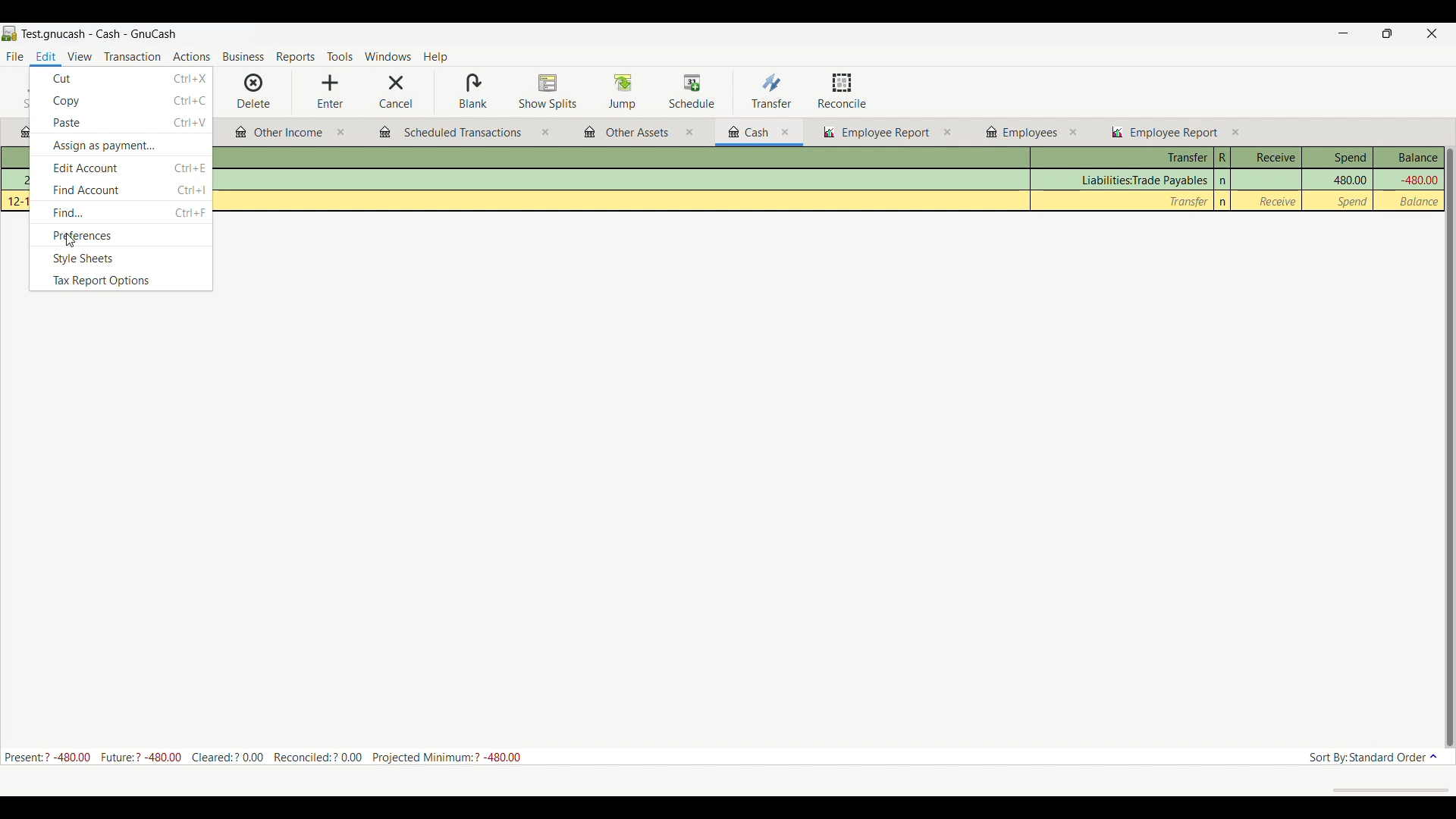  I want to click on n, so click(1223, 202).